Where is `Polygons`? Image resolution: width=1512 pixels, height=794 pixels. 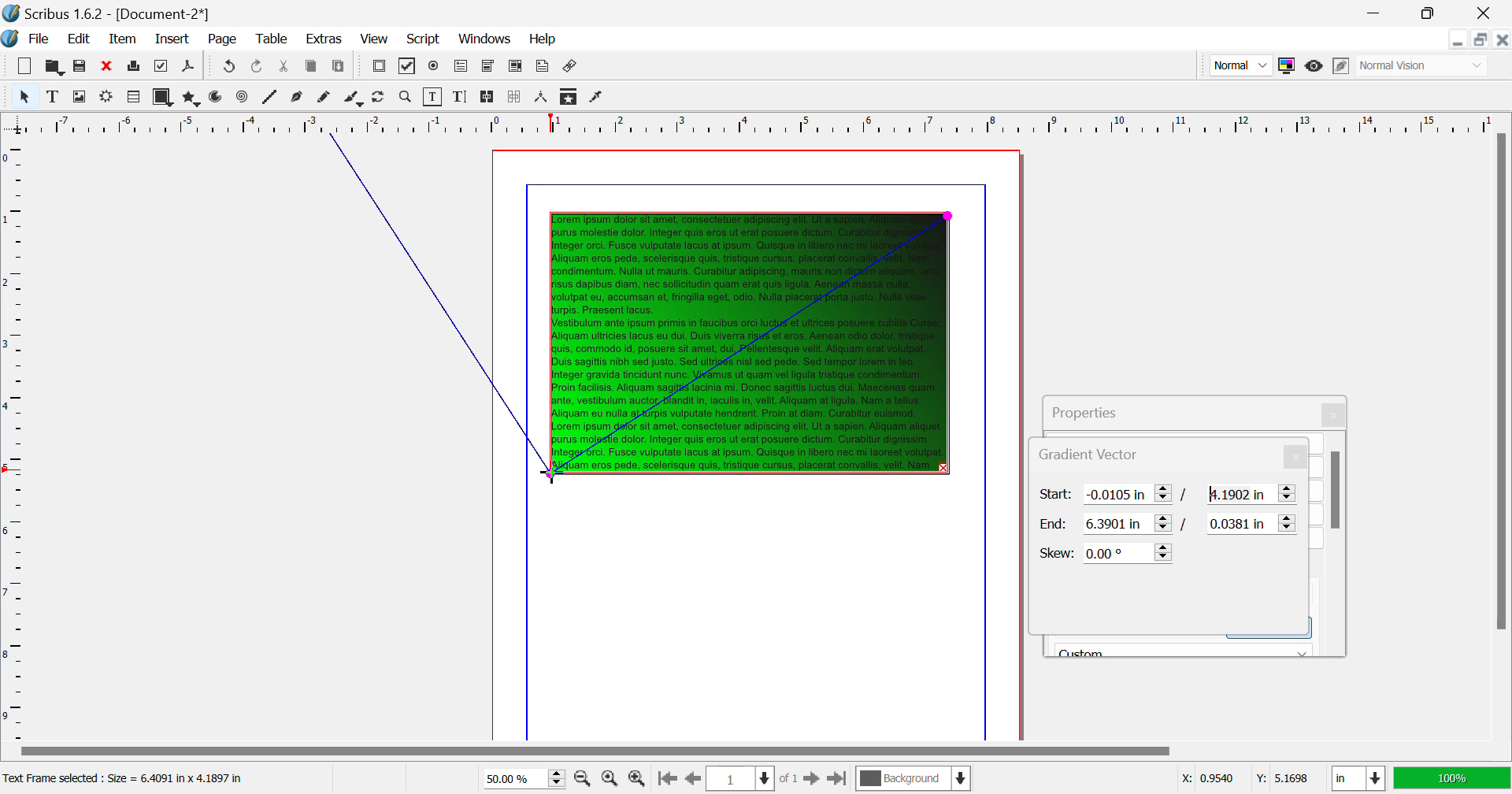 Polygons is located at coordinates (190, 98).